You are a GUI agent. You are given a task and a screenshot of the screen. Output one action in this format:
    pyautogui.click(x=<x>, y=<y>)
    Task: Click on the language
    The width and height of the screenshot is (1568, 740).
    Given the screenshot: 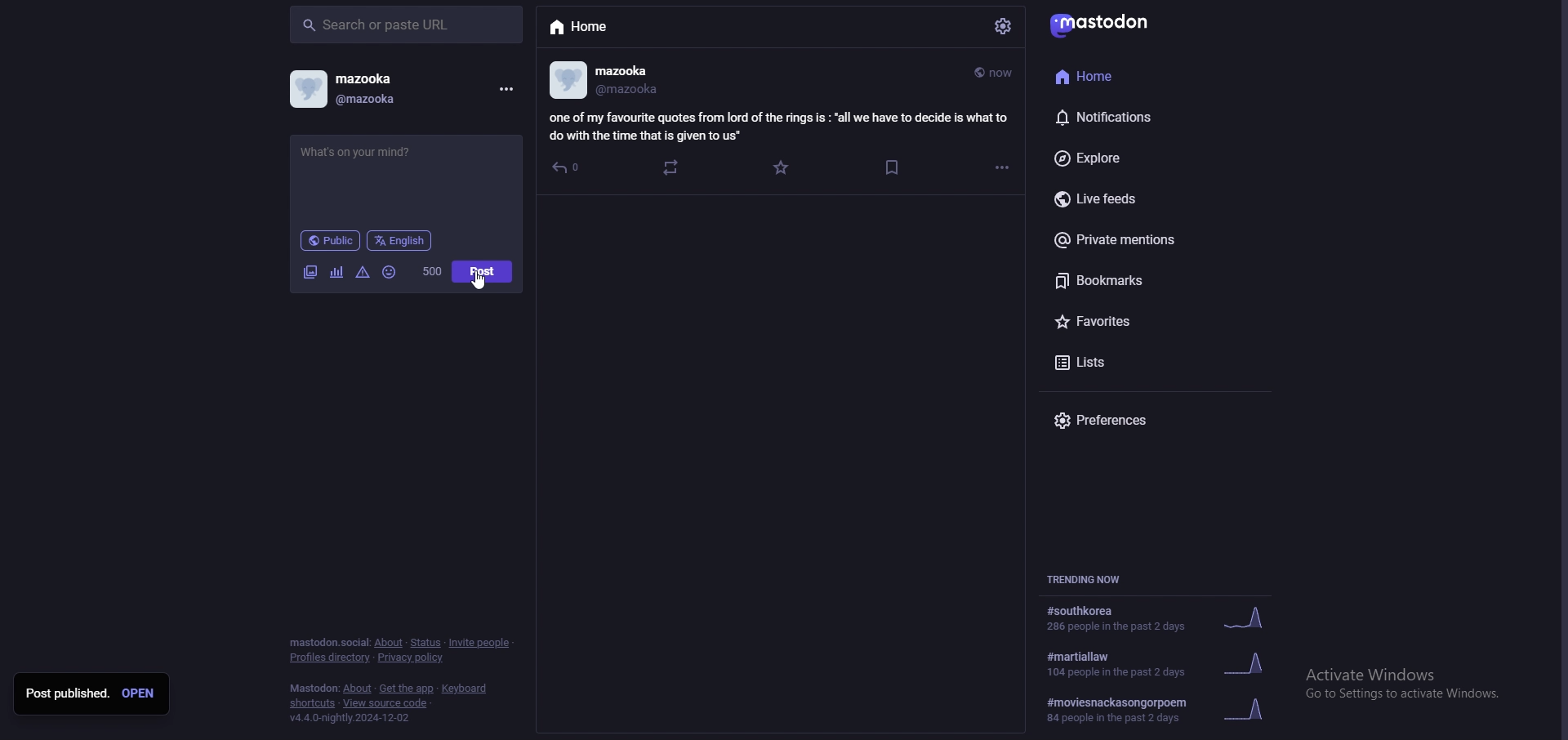 What is the action you would take?
    pyautogui.click(x=400, y=241)
    